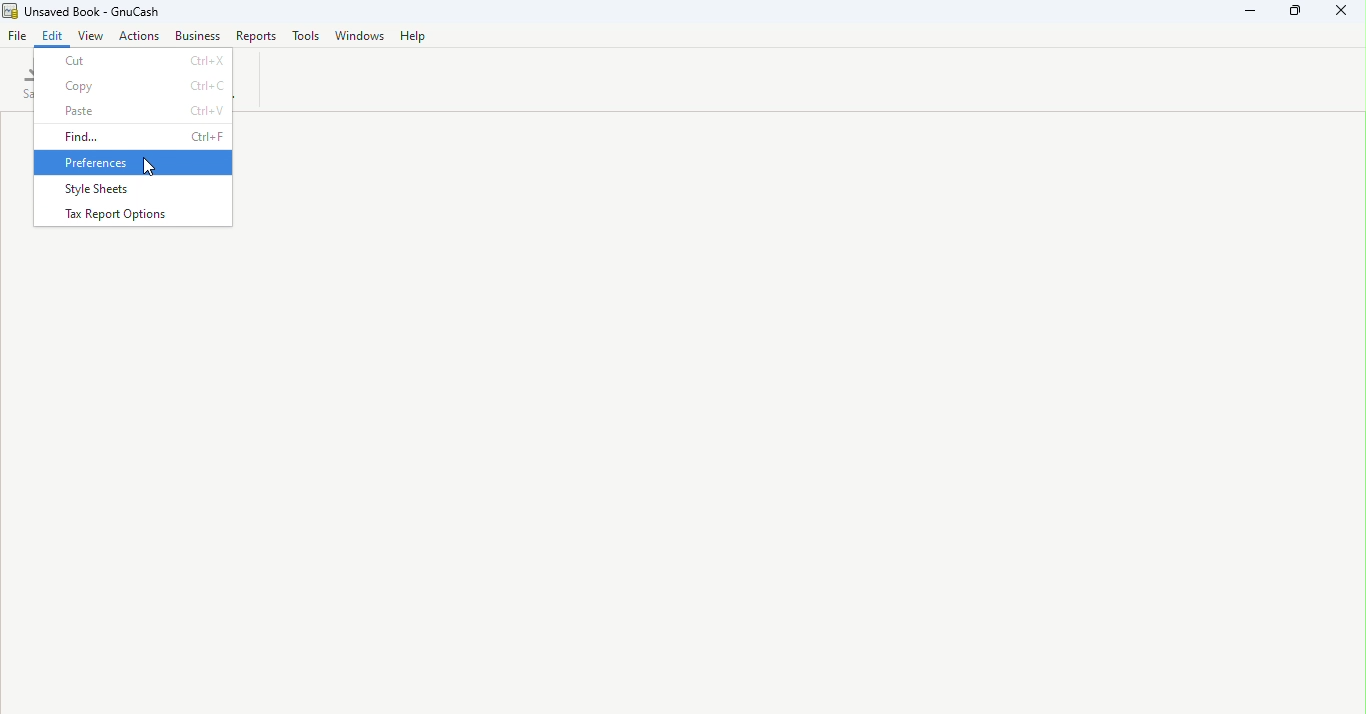 The image size is (1366, 714). Describe the element at coordinates (93, 34) in the screenshot. I see `View` at that location.